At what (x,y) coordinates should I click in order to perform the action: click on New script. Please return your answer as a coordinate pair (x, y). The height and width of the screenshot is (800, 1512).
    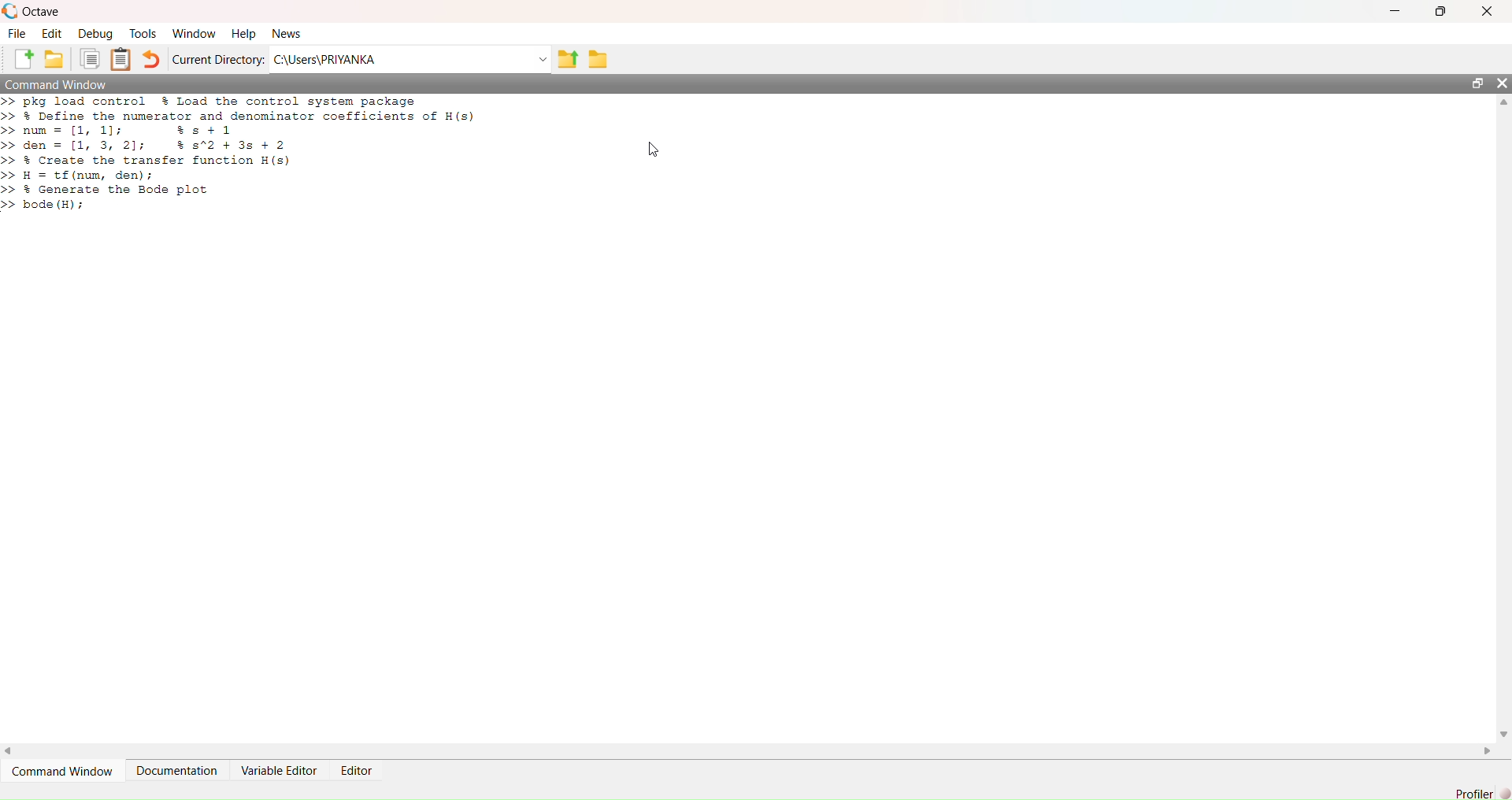
    Looking at the image, I should click on (21, 59).